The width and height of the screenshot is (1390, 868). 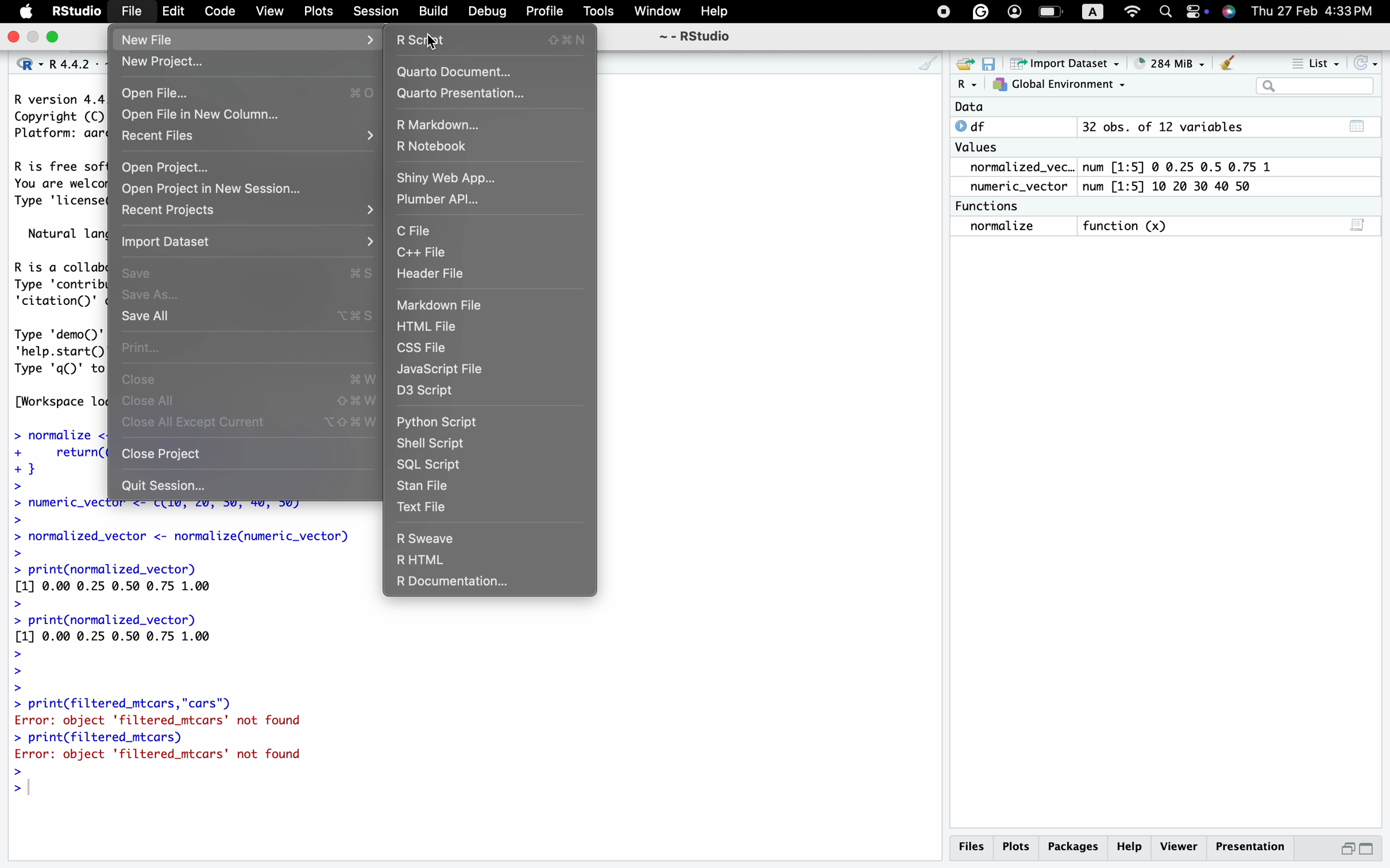 What do you see at coordinates (426, 506) in the screenshot?
I see `Text File` at bounding box center [426, 506].